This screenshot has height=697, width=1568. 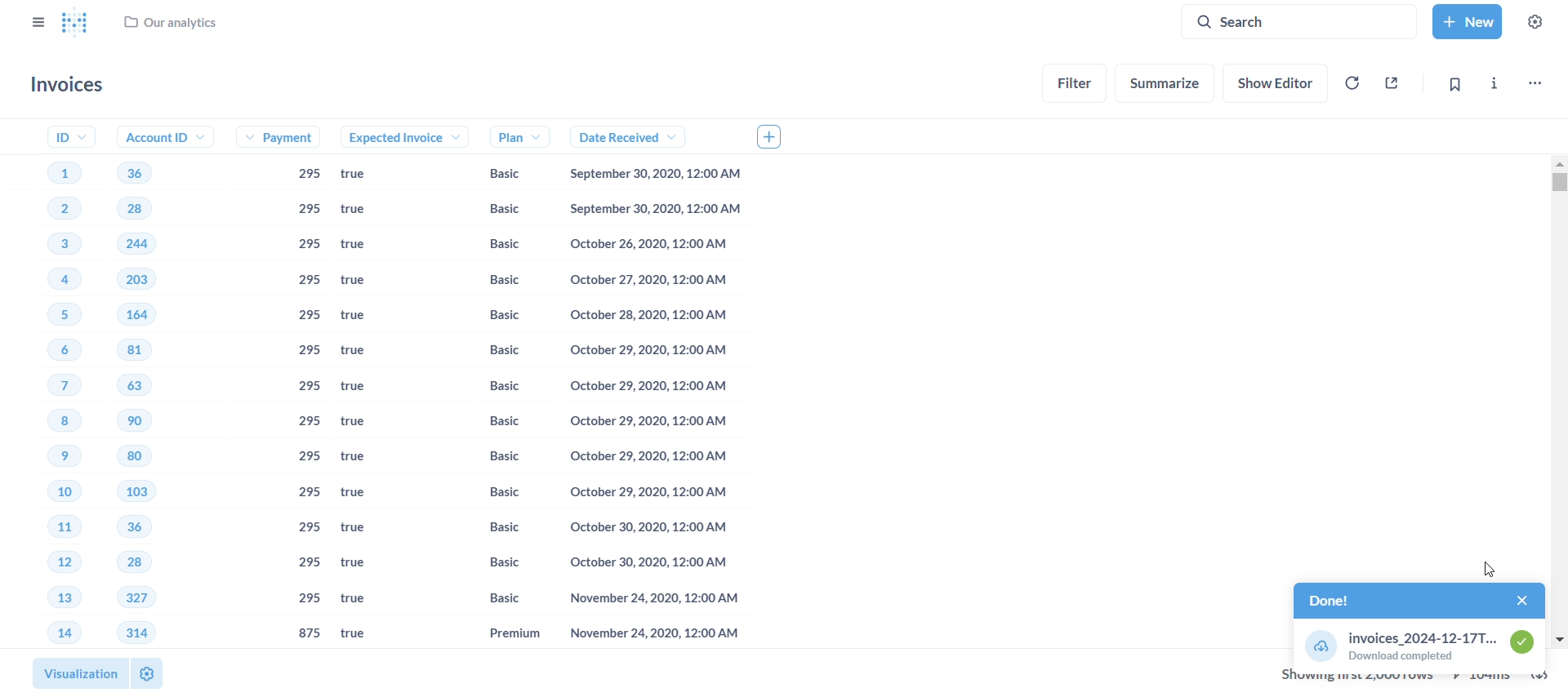 What do you see at coordinates (1512, 599) in the screenshot?
I see `close ` at bounding box center [1512, 599].